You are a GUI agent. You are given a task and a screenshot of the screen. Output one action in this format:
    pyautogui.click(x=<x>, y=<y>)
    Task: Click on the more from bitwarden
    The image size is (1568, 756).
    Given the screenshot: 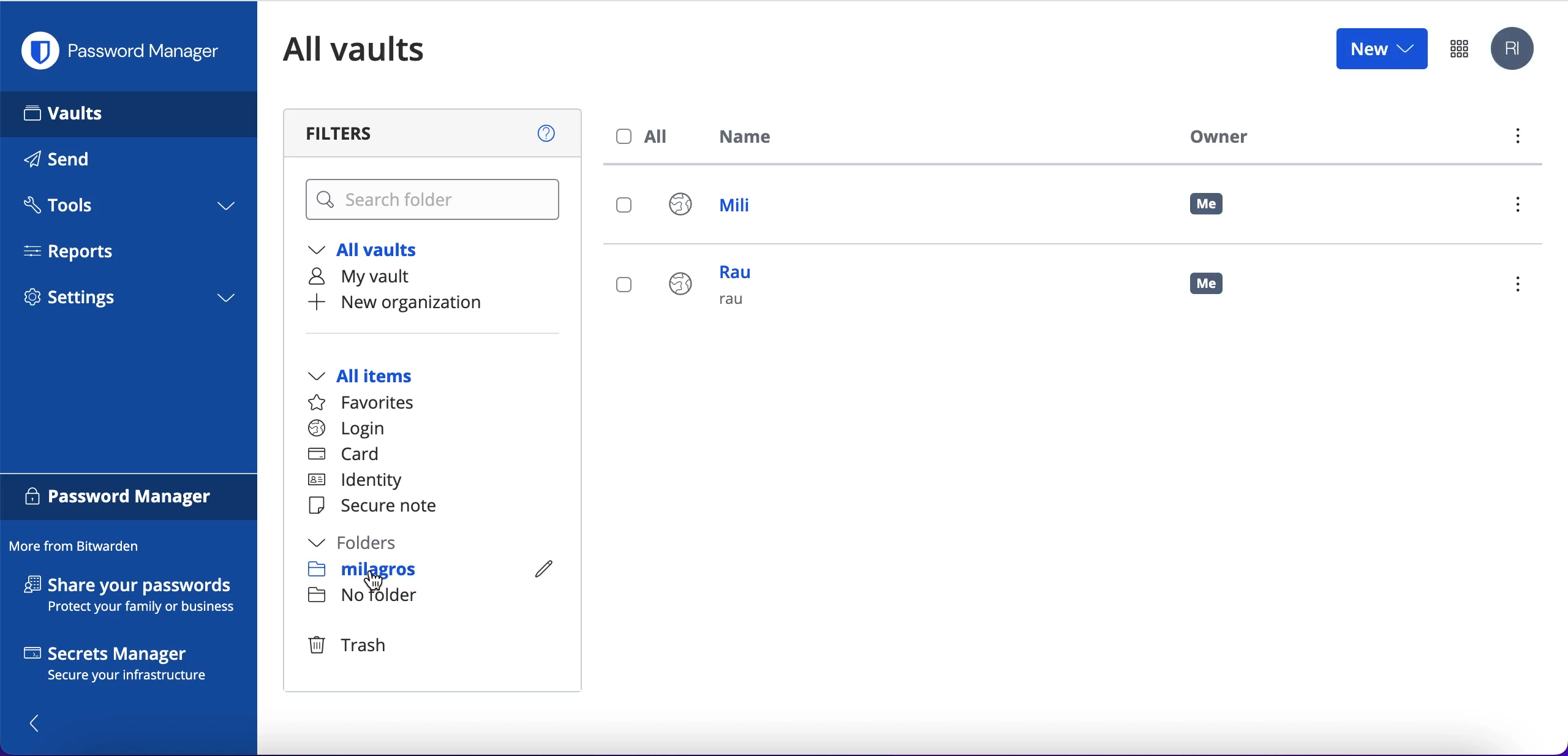 What is the action you would take?
    pyautogui.click(x=80, y=547)
    